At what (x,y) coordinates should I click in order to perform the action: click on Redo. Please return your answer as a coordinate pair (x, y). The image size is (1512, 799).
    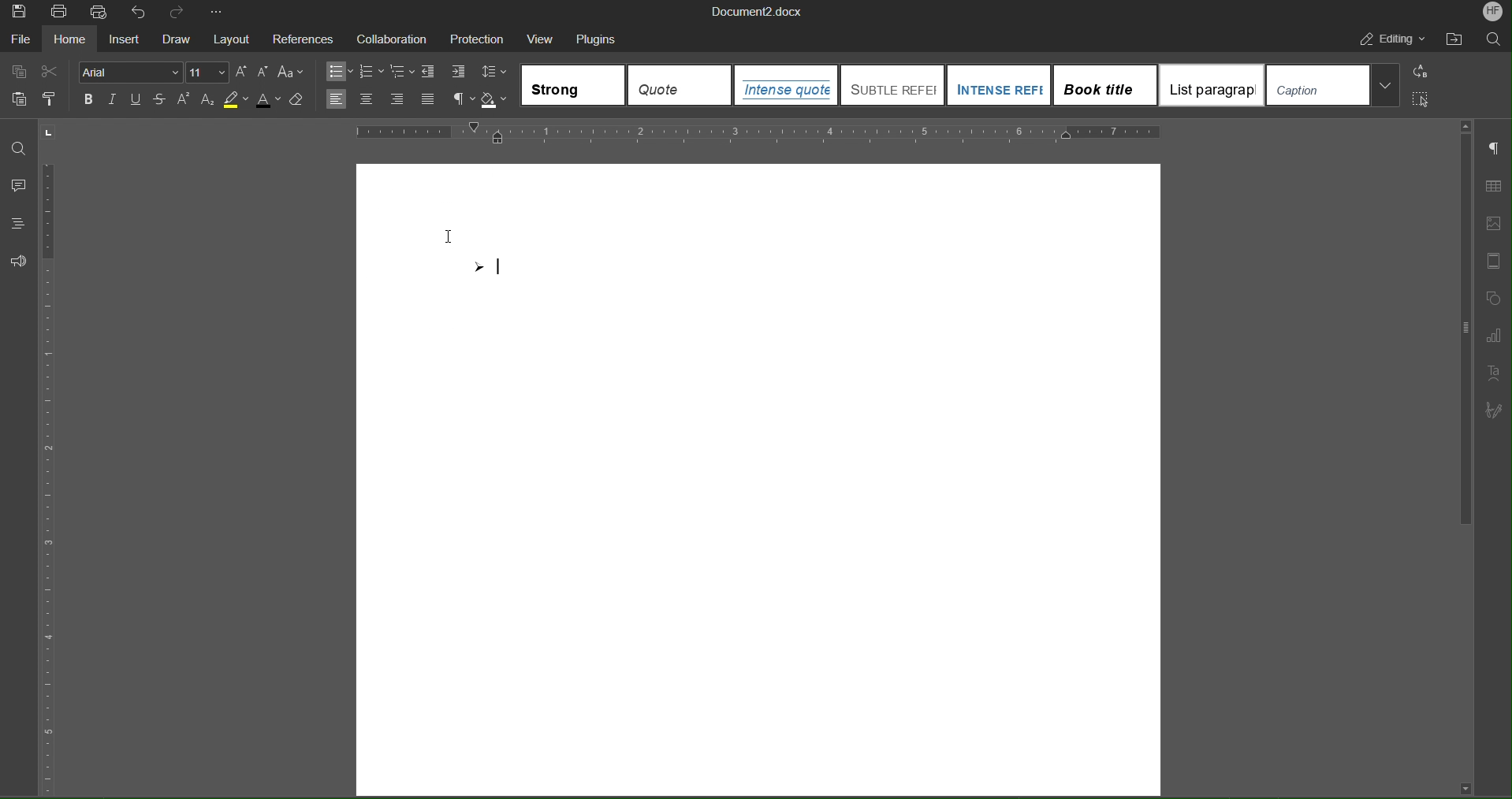
    Looking at the image, I should click on (180, 13).